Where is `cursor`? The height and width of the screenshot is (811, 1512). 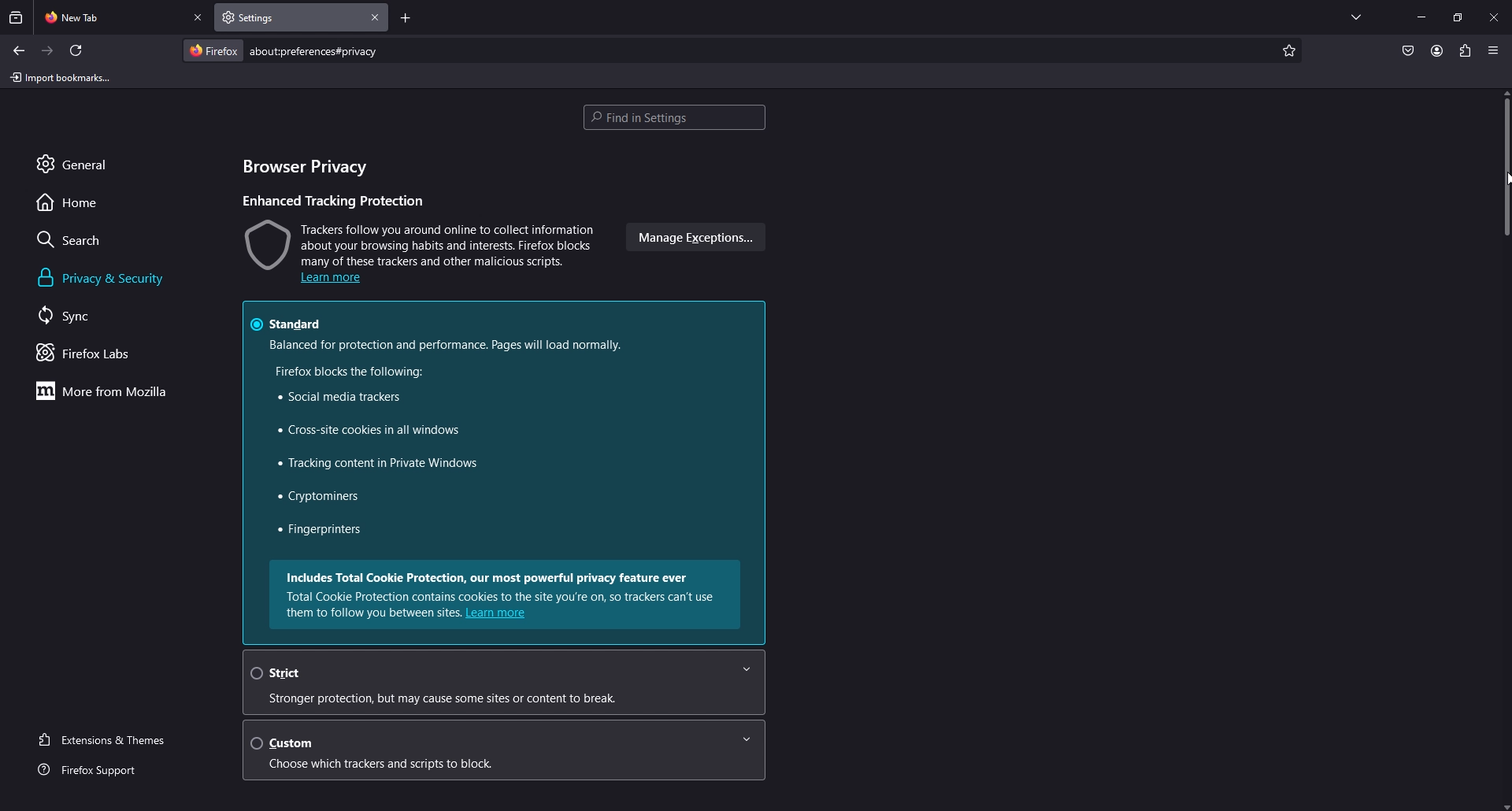
cursor is located at coordinates (1503, 179).